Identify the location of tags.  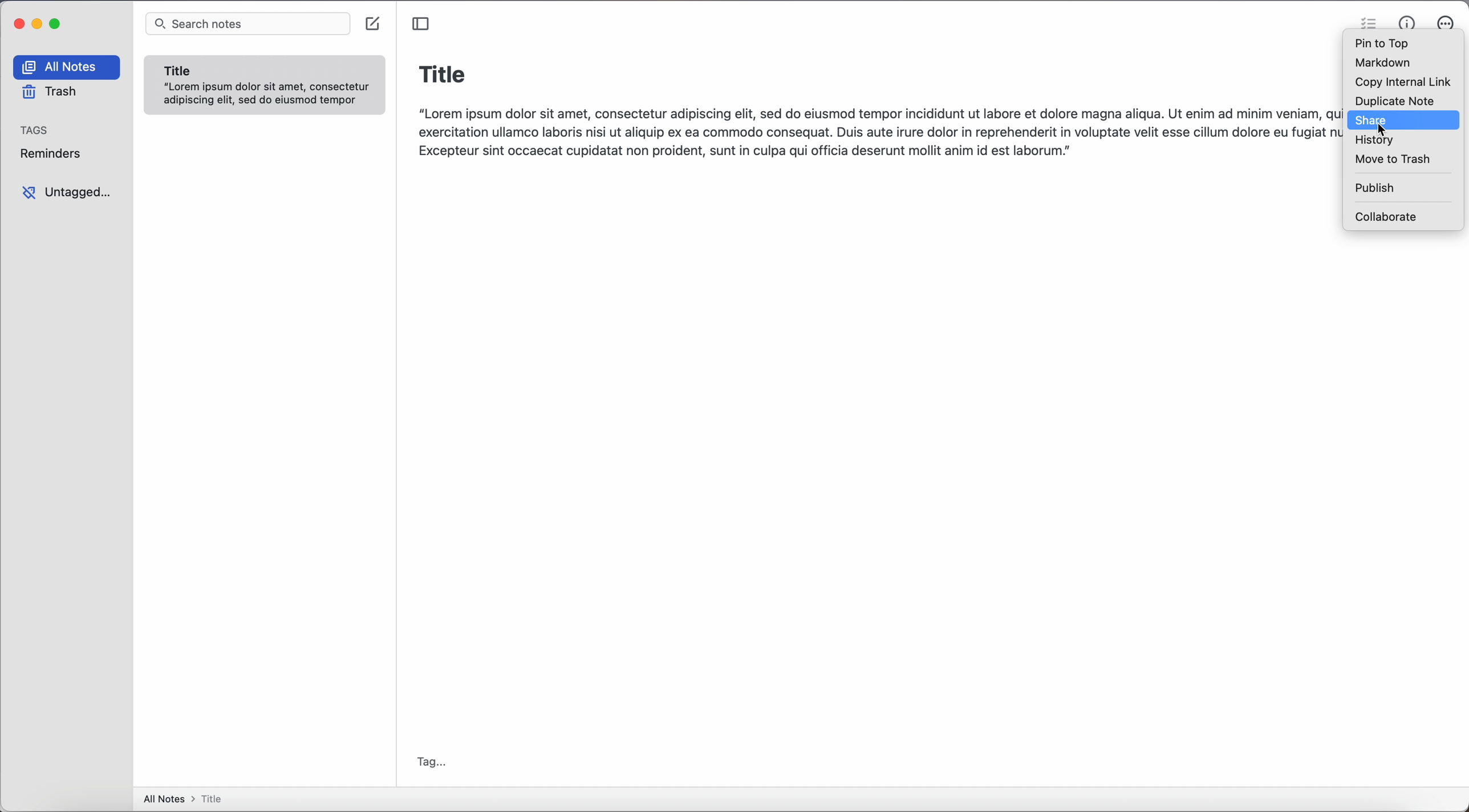
(36, 129).